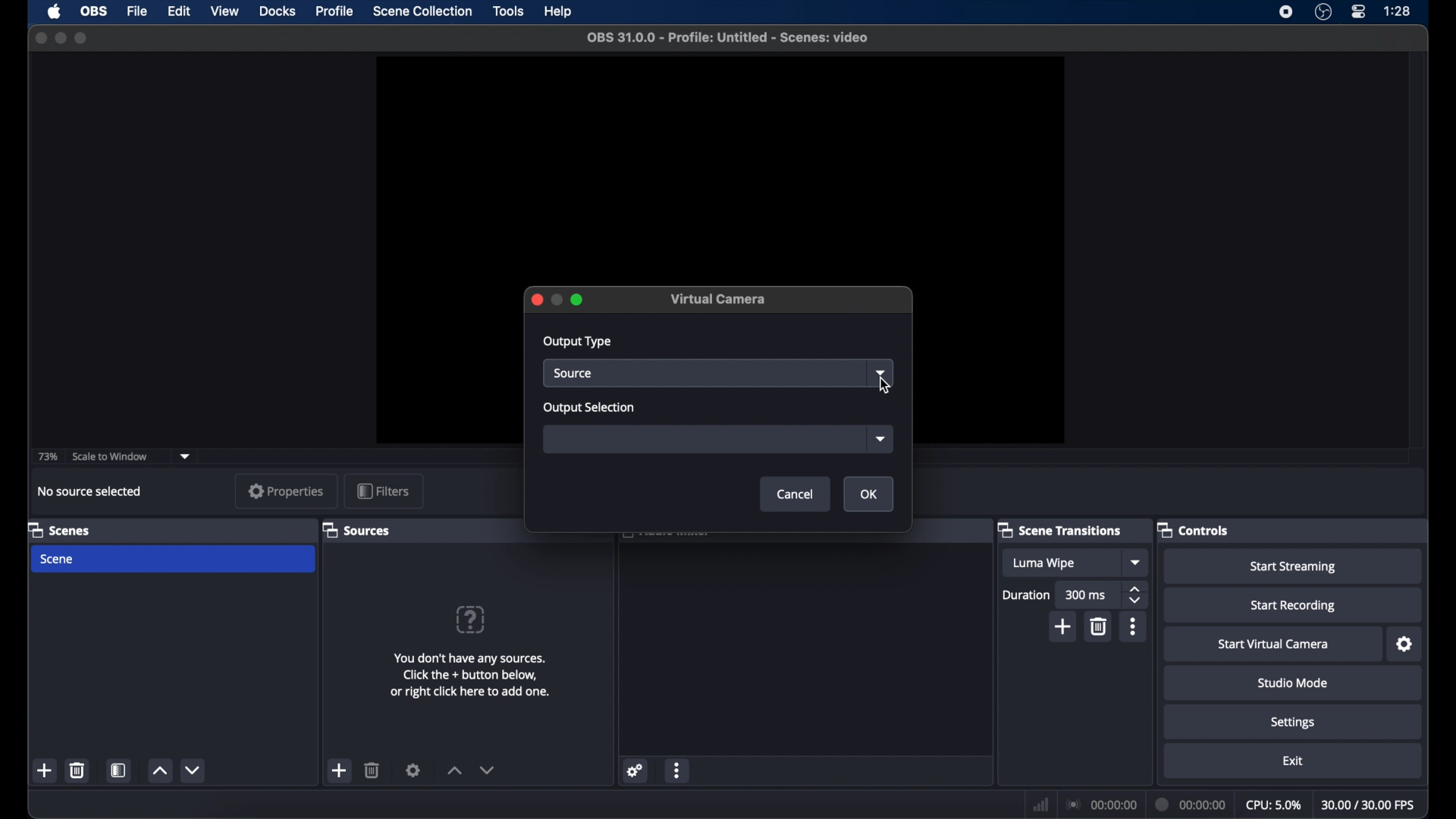  What do you see at coordinates (1026, 595) in the screenshot?
I see `durations` at bounding box center [1026, 595].